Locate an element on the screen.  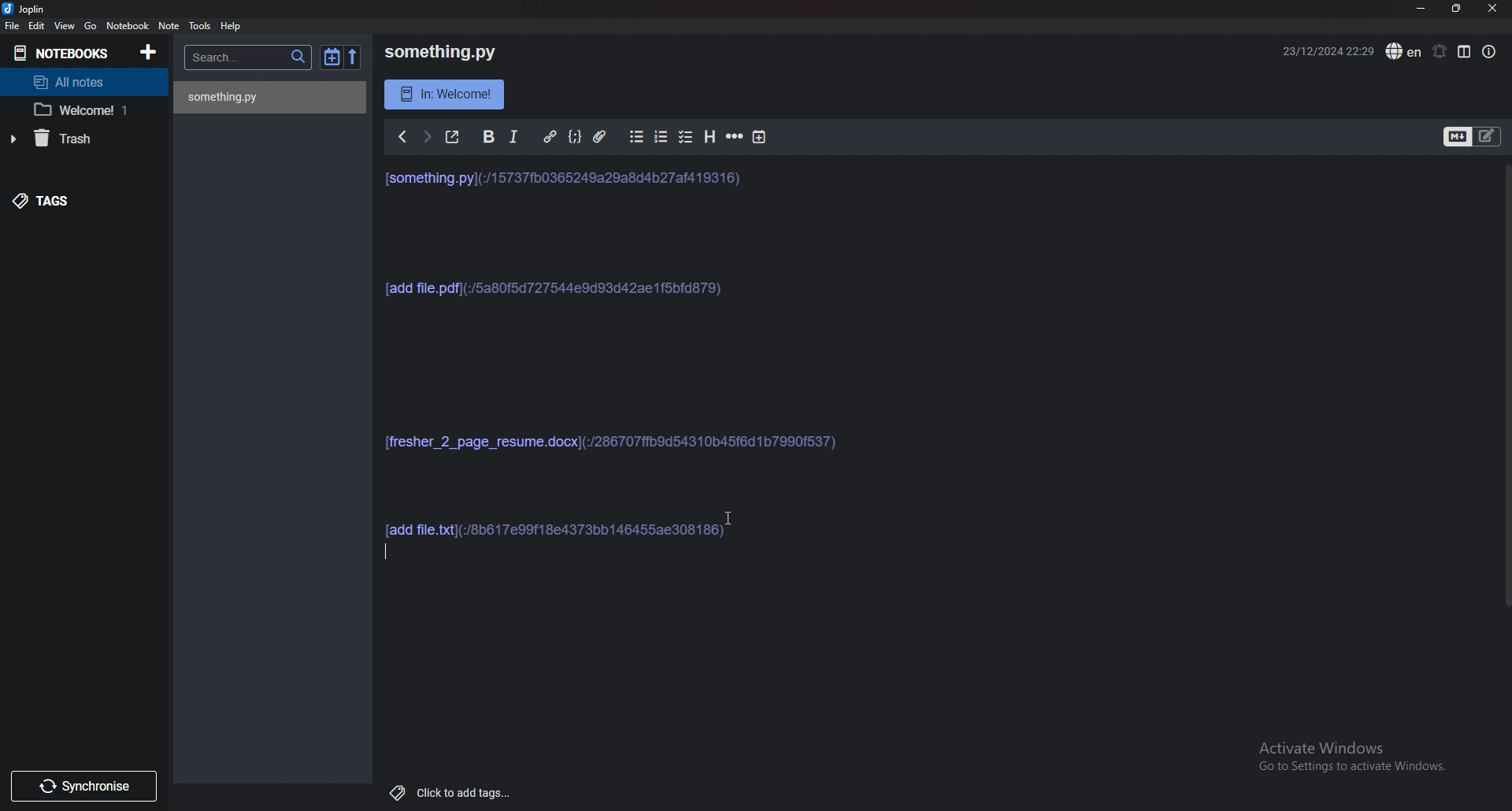
Italic is located at coordinates (517, 135).